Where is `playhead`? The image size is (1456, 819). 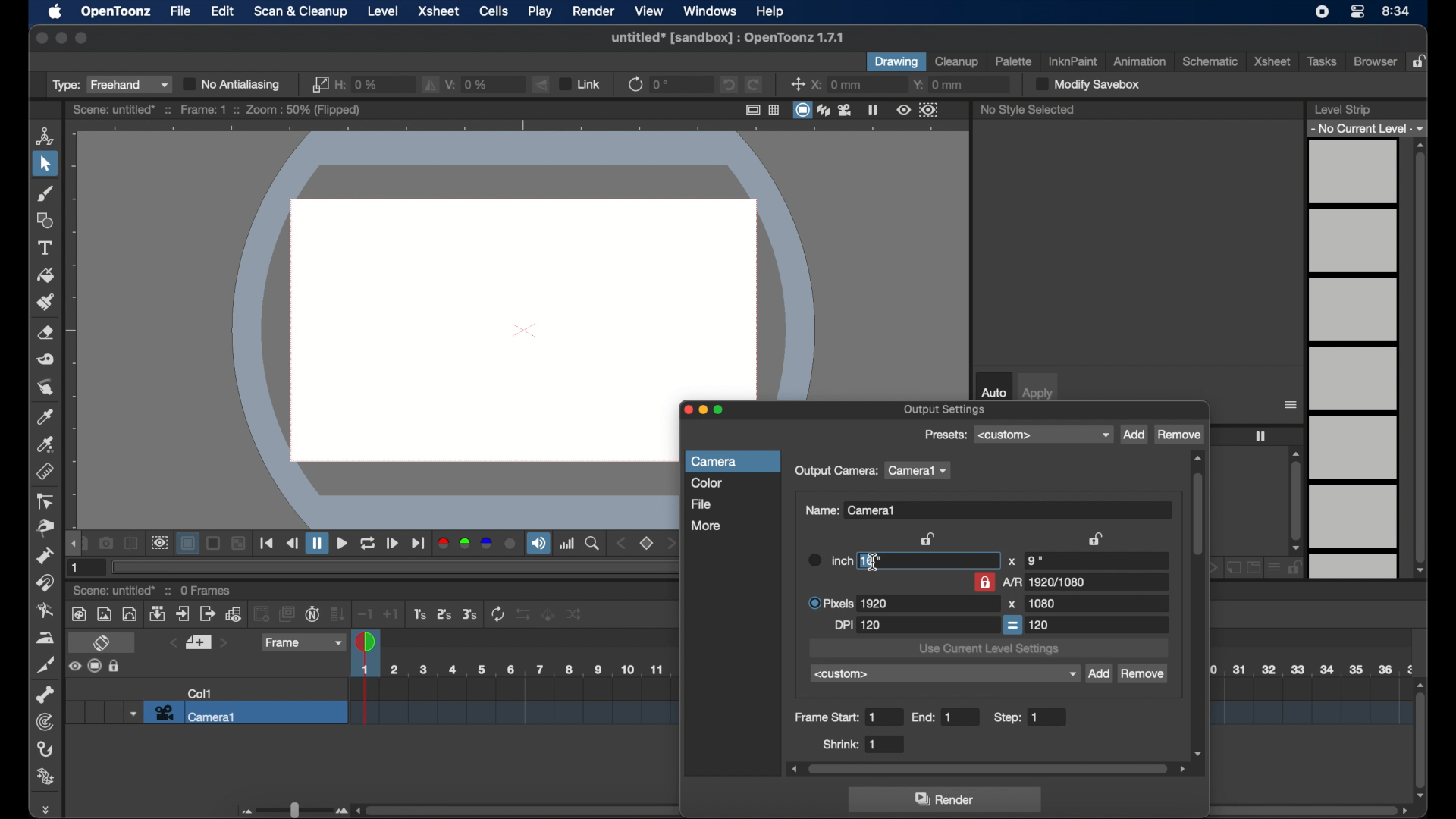 playhead is located at coordinates (367, 641).